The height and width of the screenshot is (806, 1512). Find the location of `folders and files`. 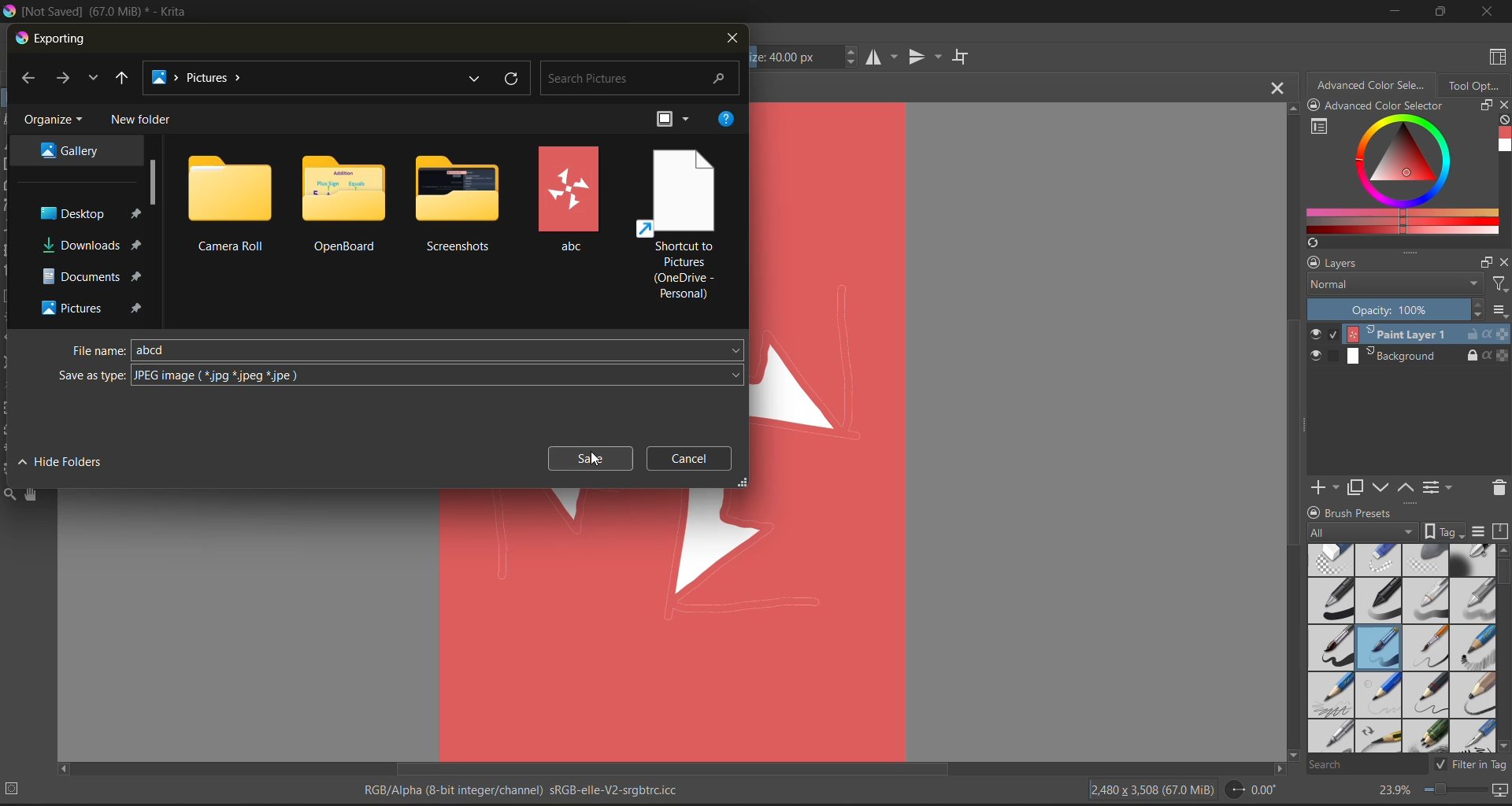

folders and files is located at coordinates (572, 198).